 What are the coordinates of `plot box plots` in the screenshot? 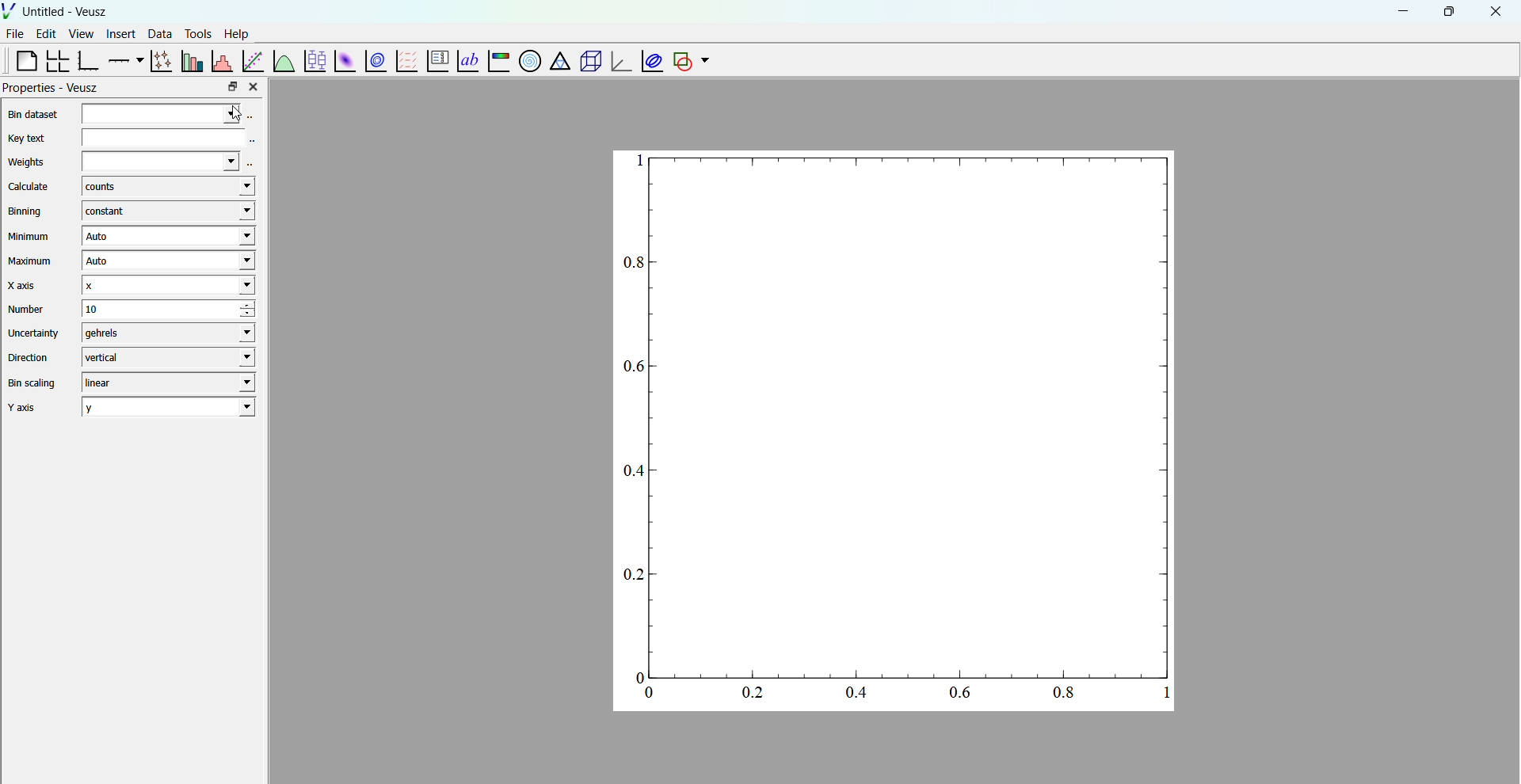 It's located at (314, 61).